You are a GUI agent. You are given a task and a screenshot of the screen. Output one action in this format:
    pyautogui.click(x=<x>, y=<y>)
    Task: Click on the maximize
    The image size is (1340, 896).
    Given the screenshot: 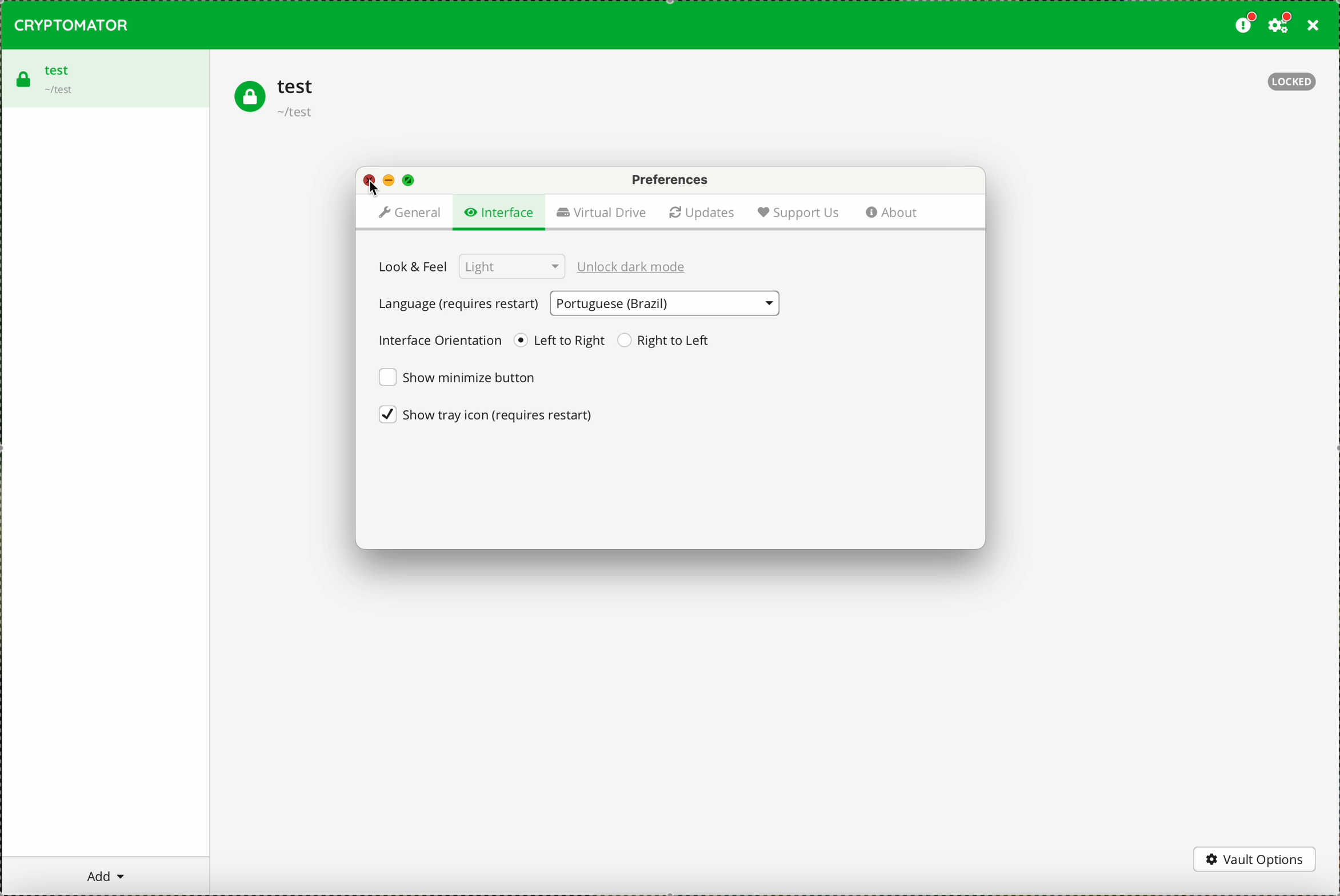 What is the action you would take?
    pyautogui.click(x=410, y=182)
    